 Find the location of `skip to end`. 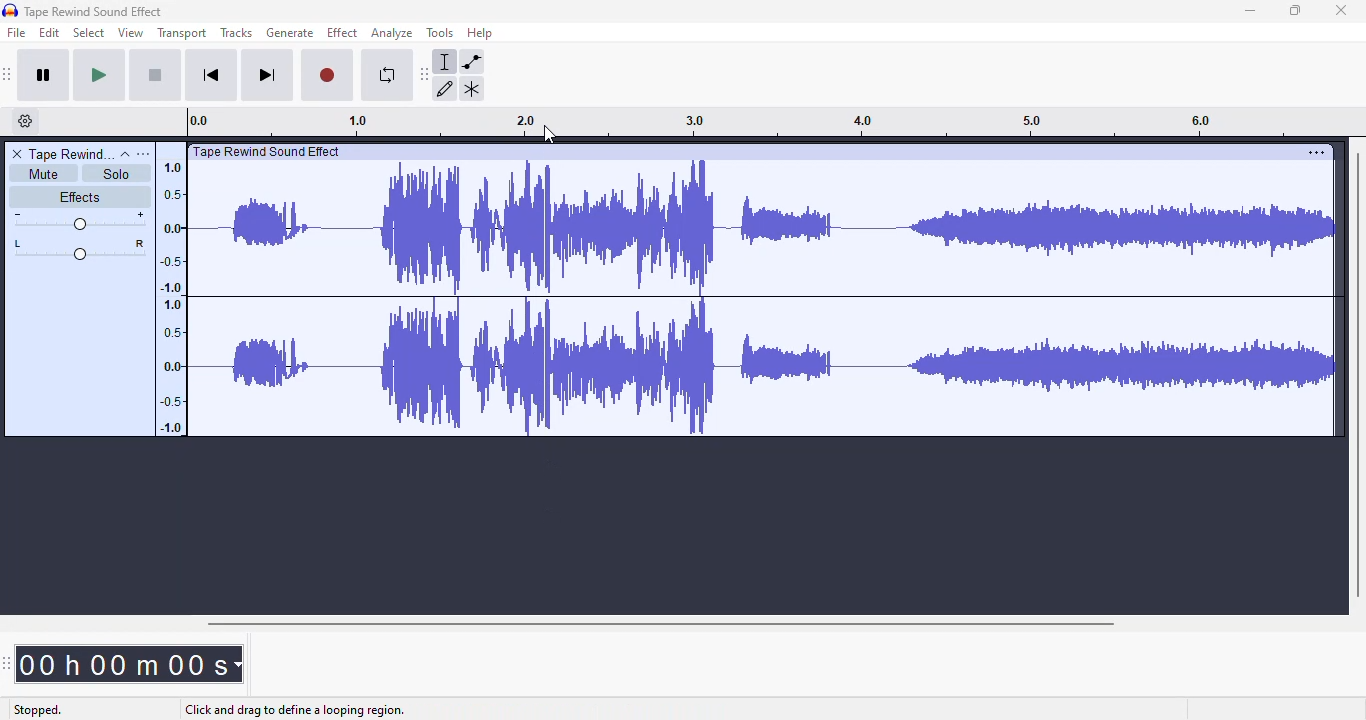

skip to end is located at coordinates (268, 75).